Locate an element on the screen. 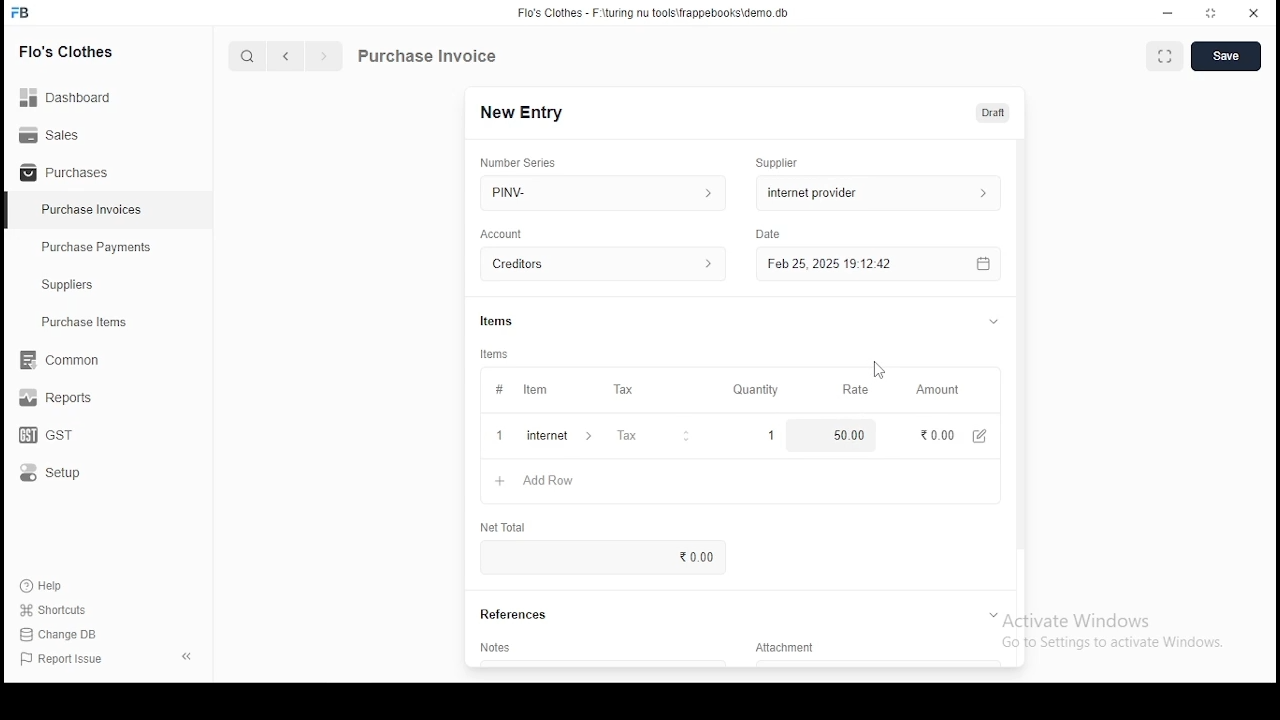  Change DB is located at coordinates (65, 635).